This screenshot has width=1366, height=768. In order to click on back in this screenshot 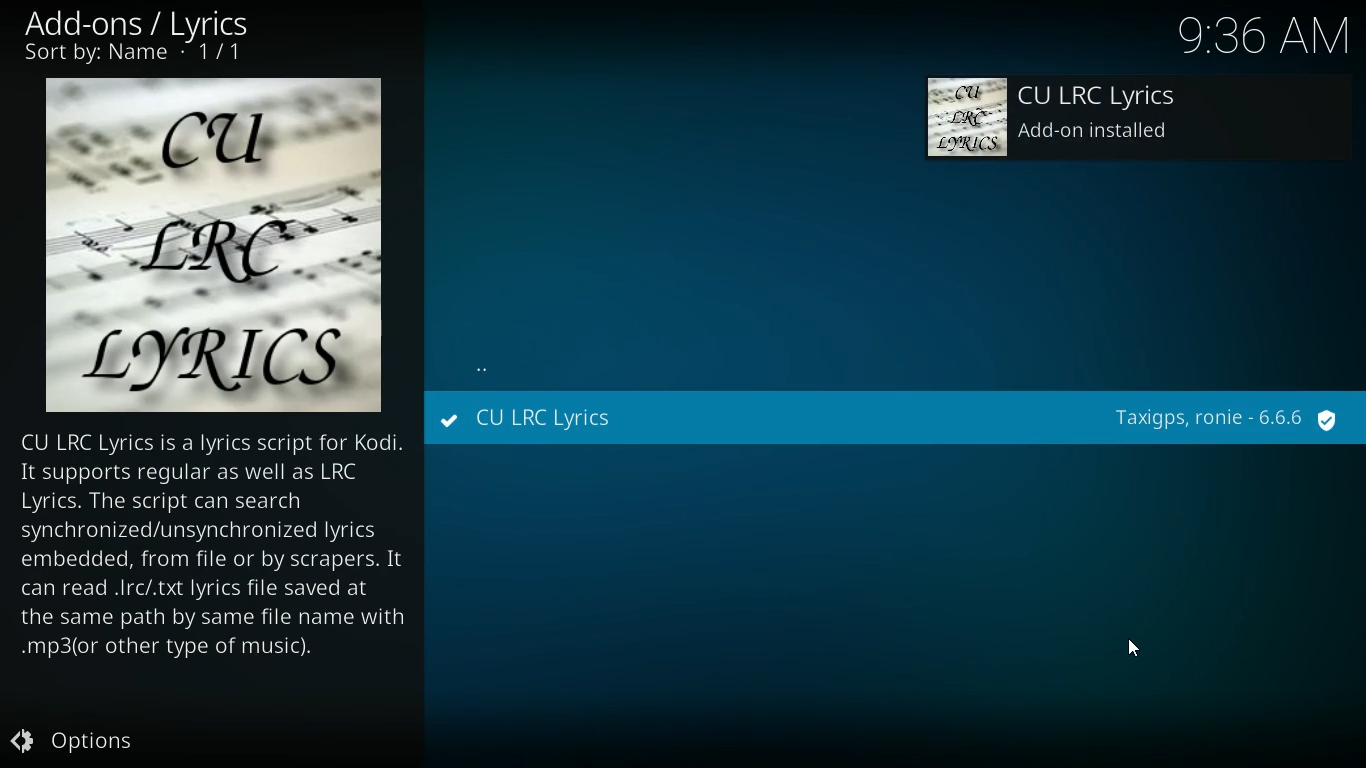, I will do `click(486, 372)`.